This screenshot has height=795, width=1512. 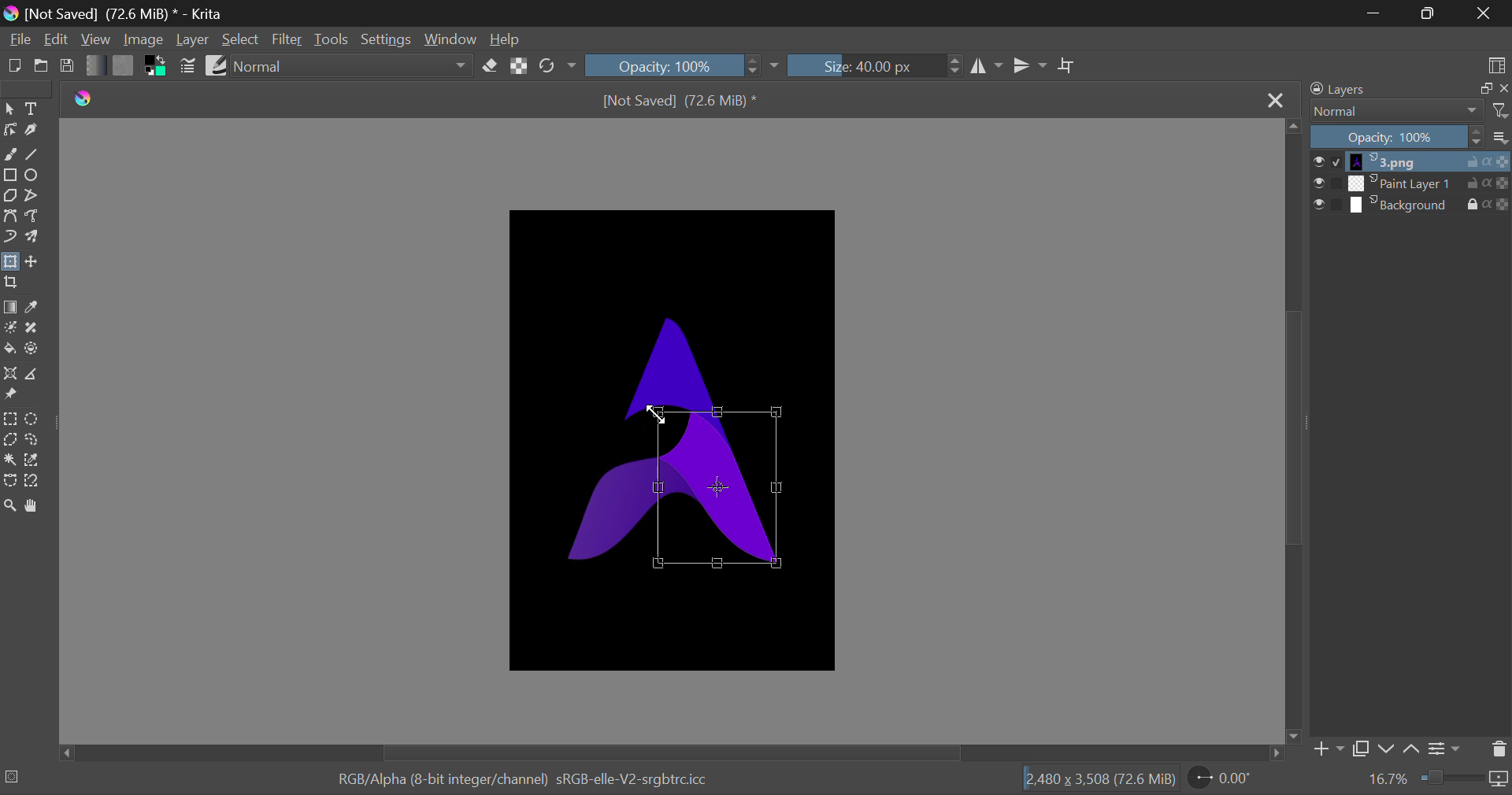 I want to click on Edit, so click(x=58, y=39).